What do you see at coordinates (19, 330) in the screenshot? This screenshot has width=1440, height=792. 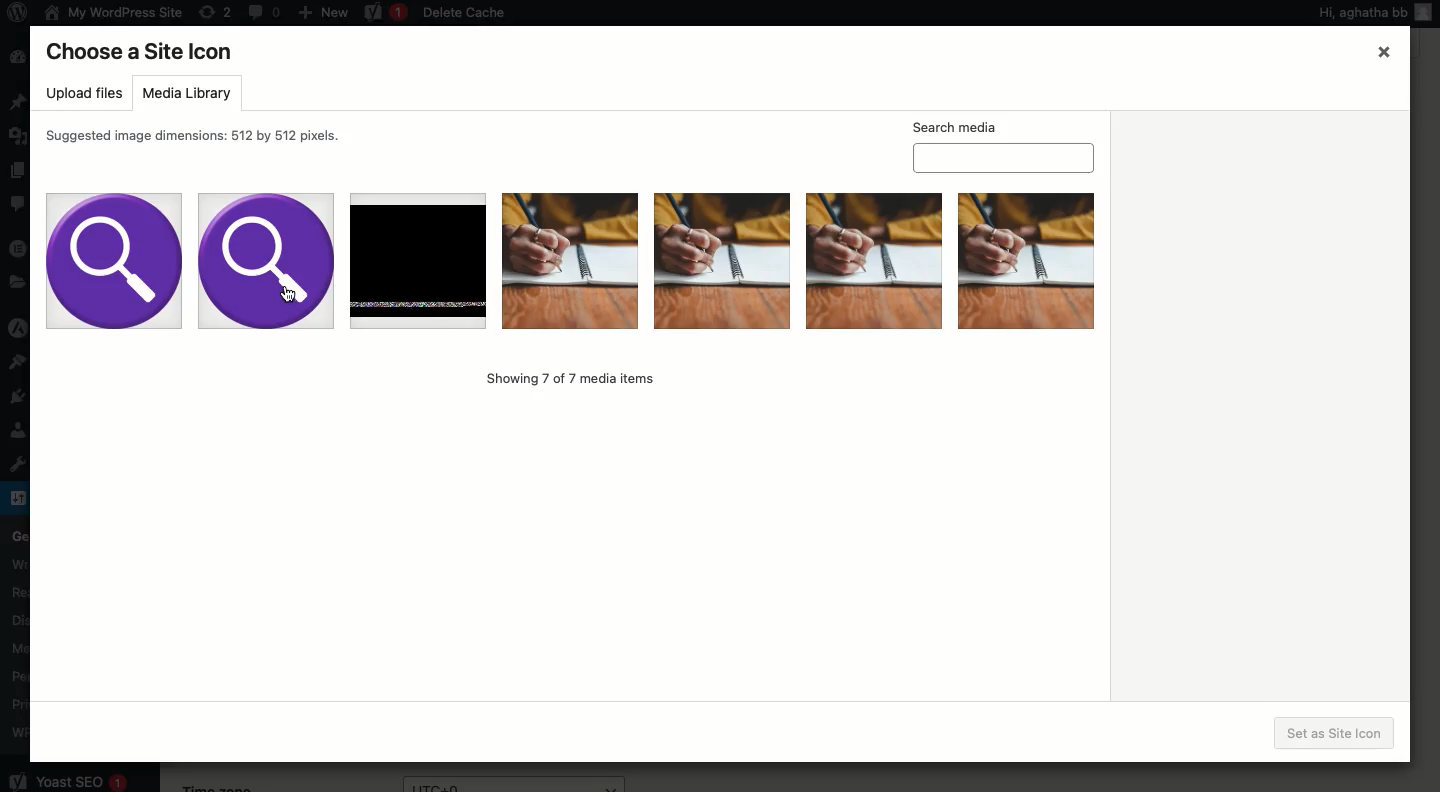 I see `Astra` at bounding box center [19, 330].